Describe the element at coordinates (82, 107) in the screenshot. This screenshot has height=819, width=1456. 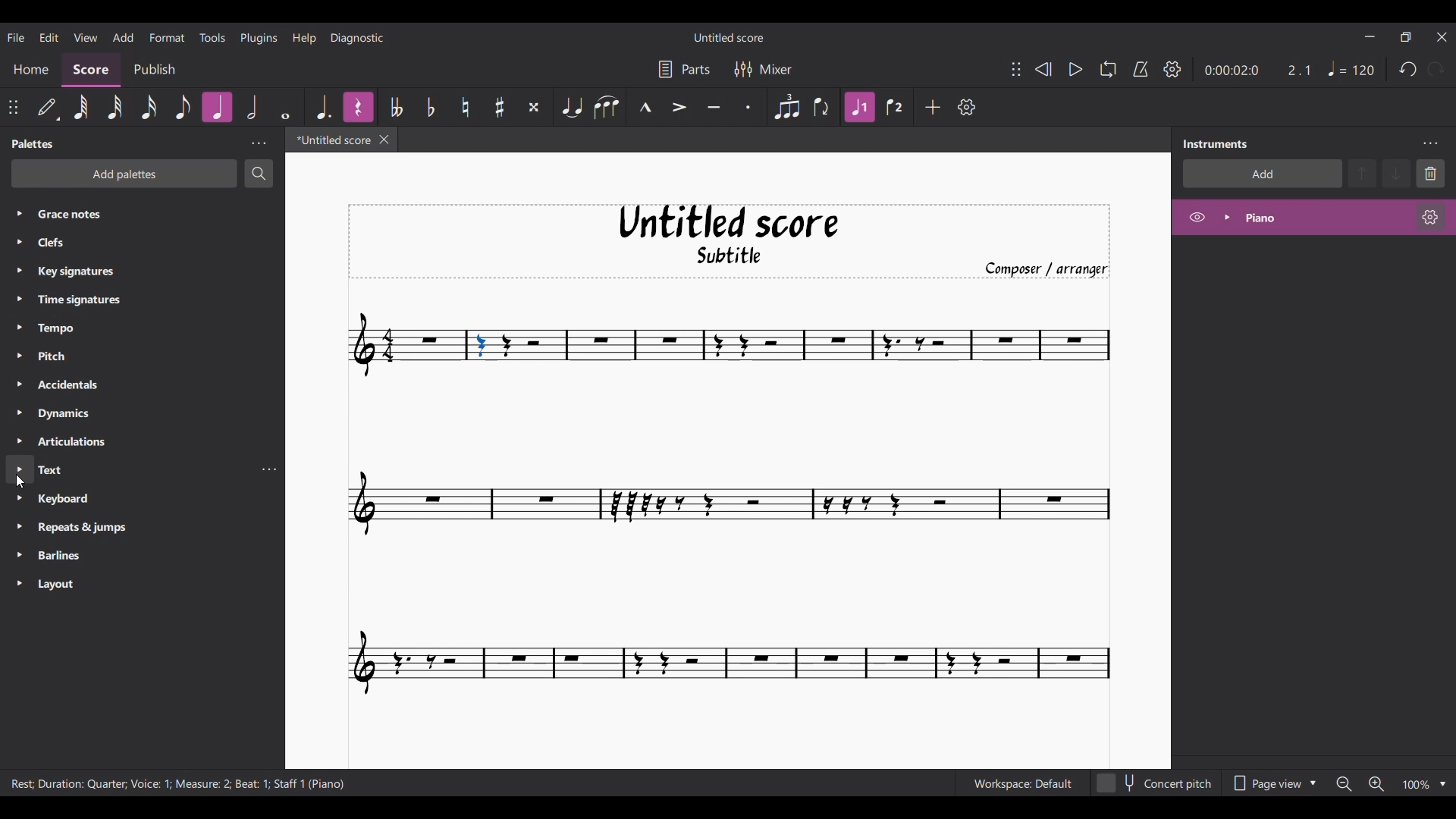
I see `64th note` at that location.